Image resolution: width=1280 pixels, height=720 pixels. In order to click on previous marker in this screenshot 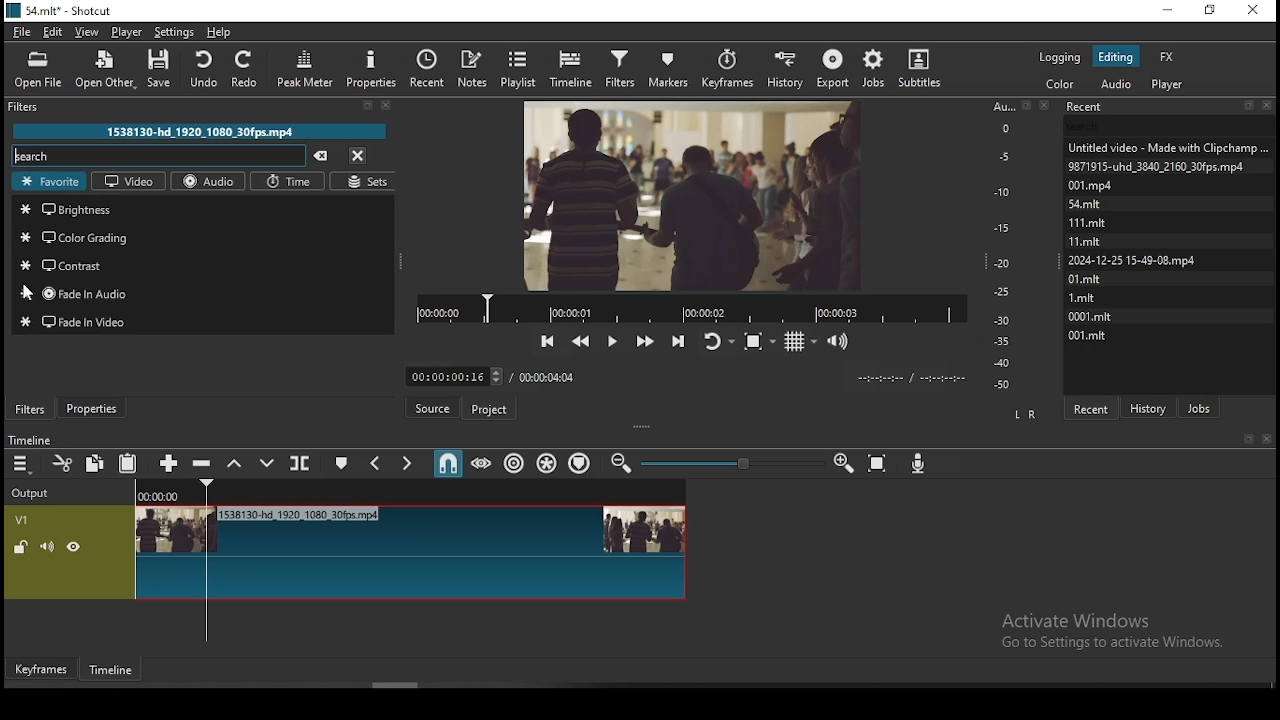, I will do `click(376, 463)`.